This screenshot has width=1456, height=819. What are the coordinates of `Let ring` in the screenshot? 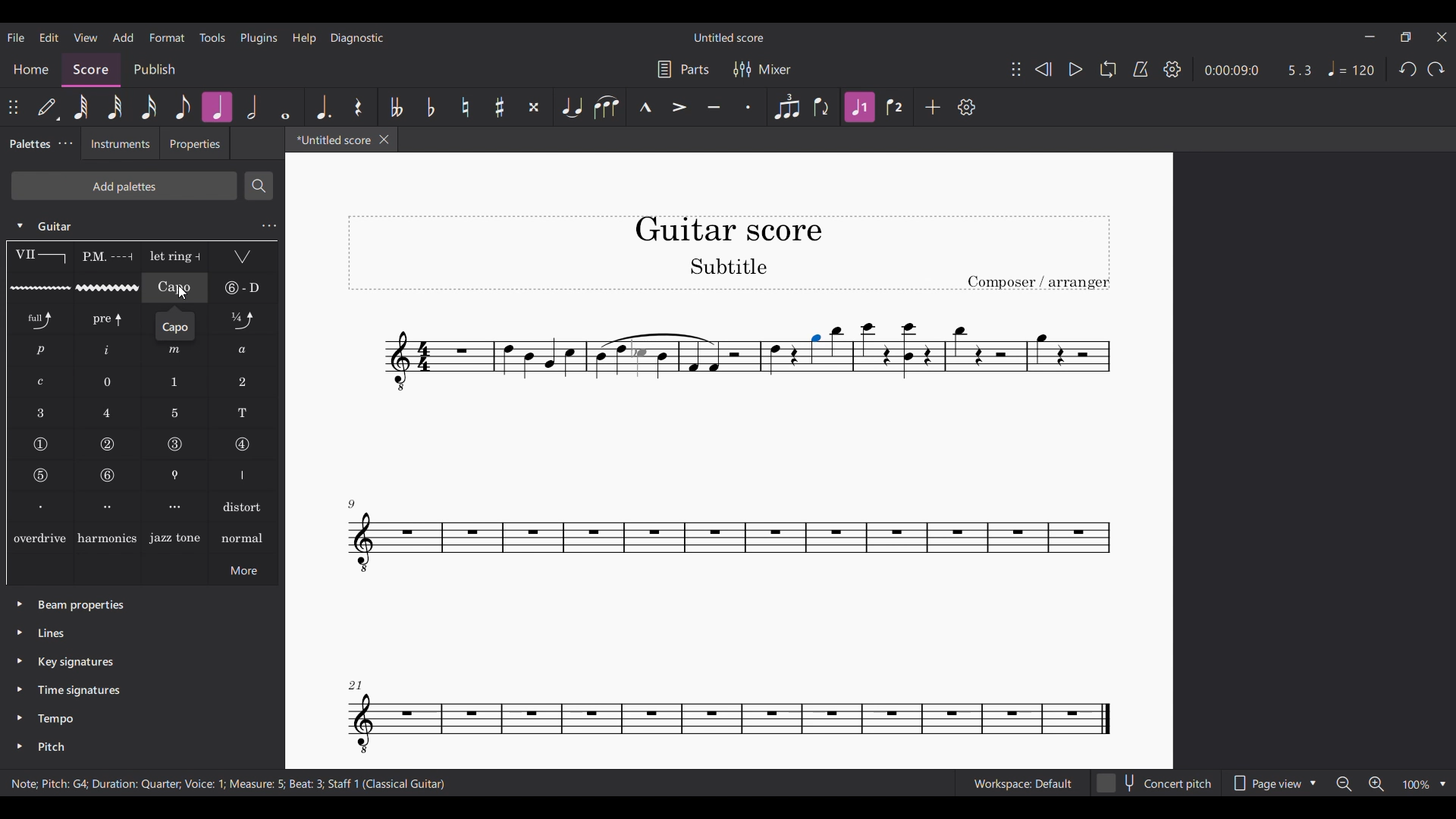 It's located at (175, 257).